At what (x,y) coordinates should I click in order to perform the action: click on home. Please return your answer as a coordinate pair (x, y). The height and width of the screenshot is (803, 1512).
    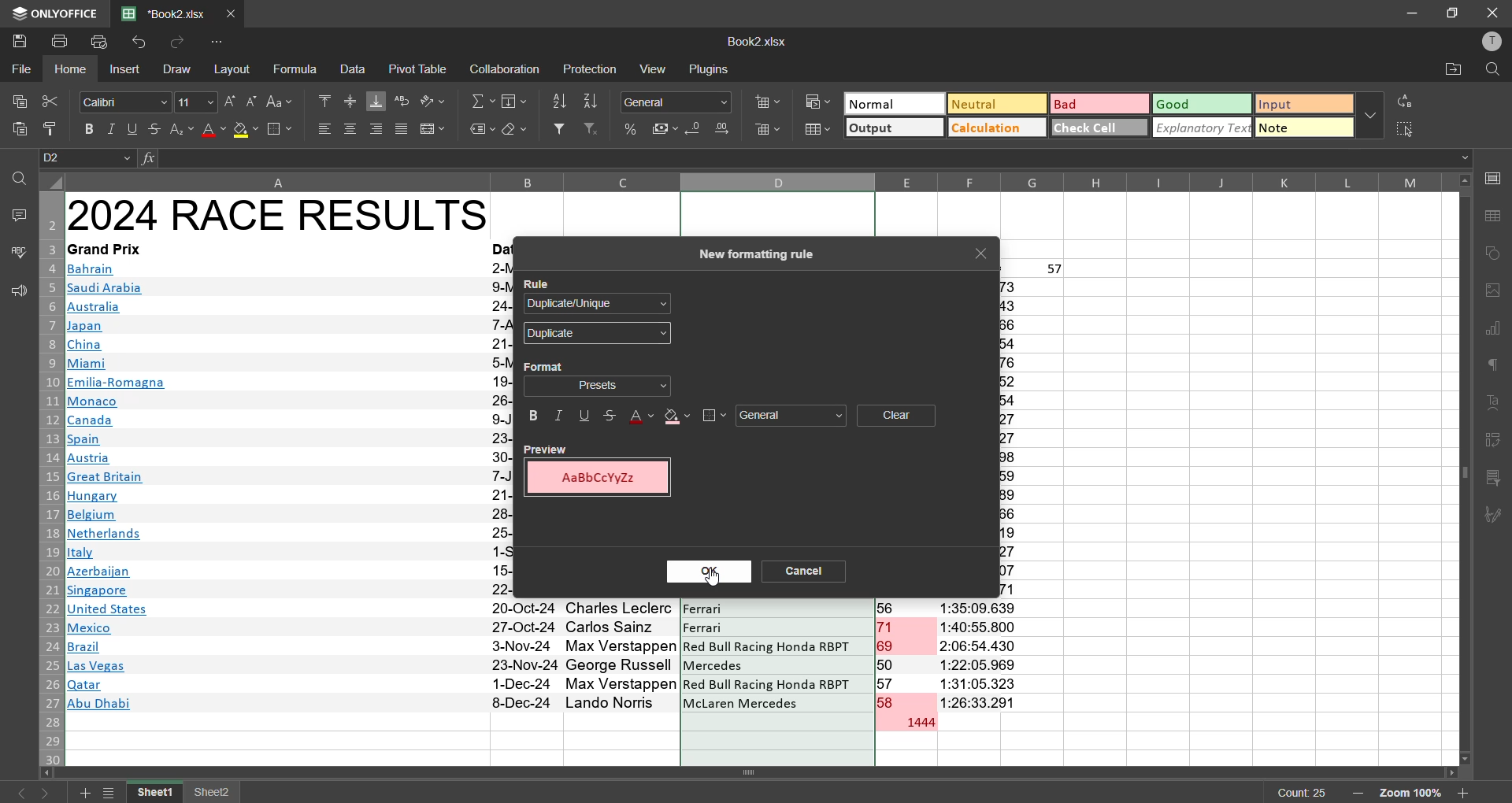
    Looking at the image, I should click on (74, 69).